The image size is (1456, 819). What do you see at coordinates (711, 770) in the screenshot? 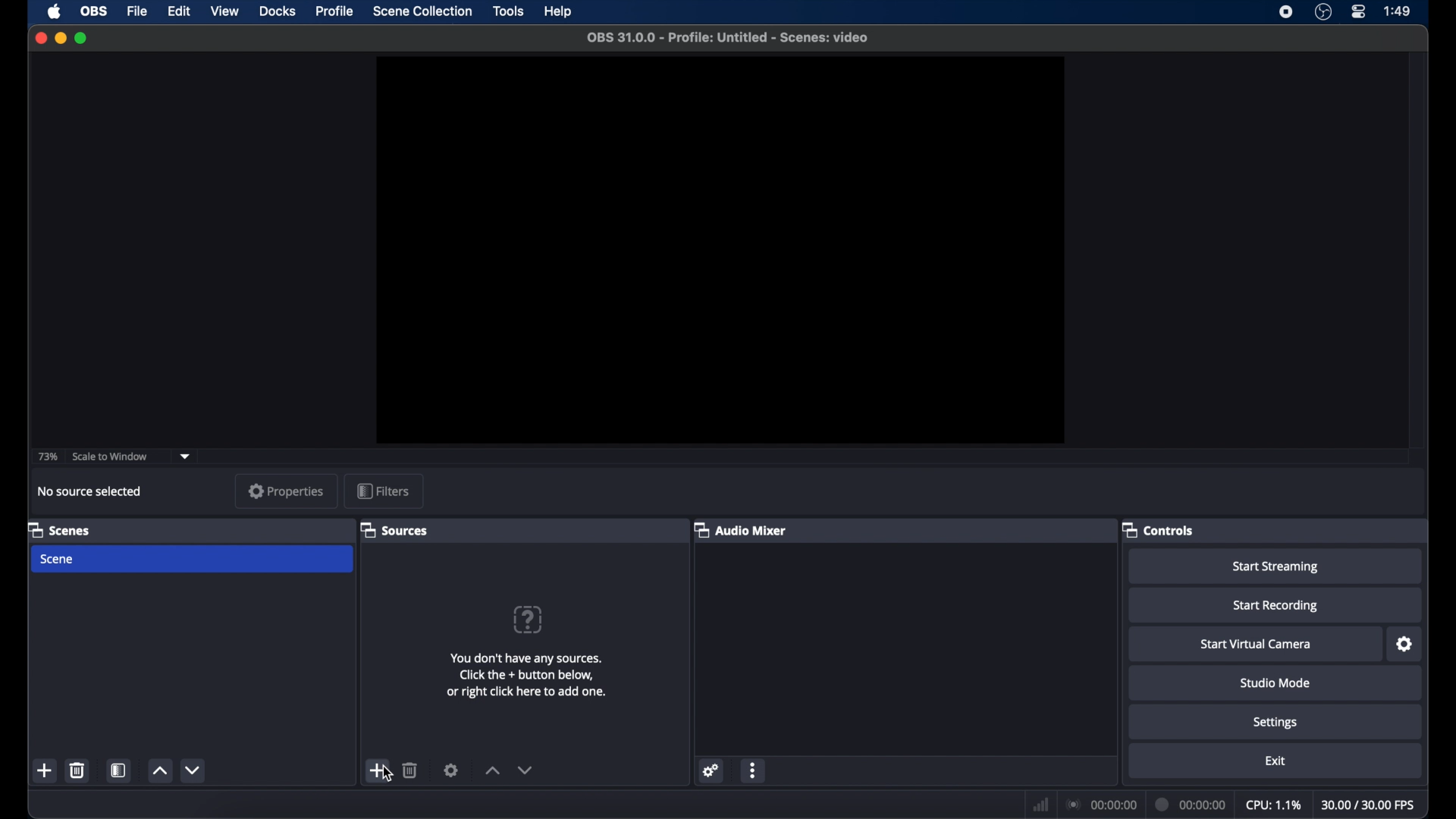
I see `settings` at bounding box center [711, 770].